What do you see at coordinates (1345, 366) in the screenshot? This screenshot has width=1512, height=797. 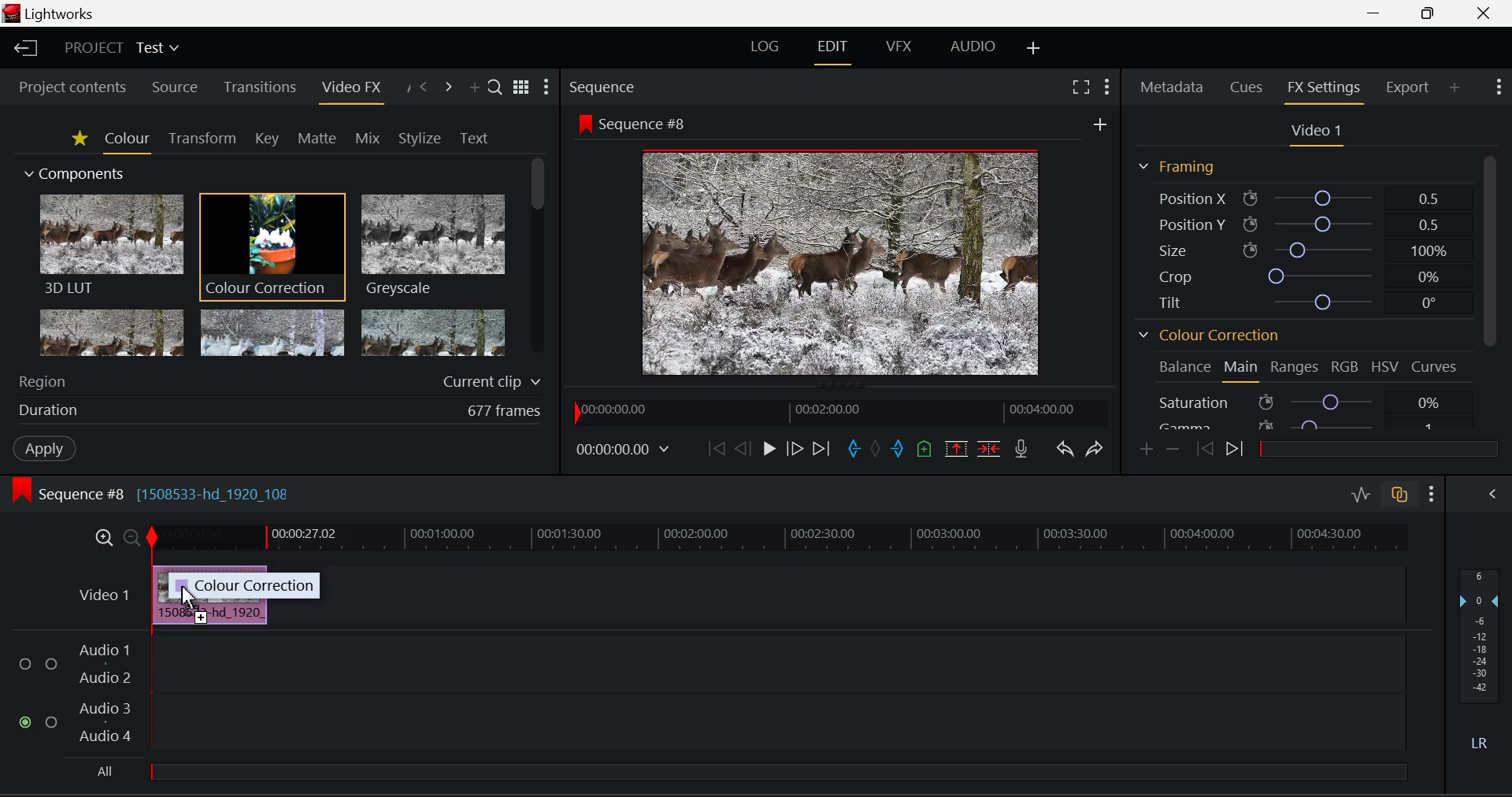 I see `RGB` at bounding box center [1345, 366].